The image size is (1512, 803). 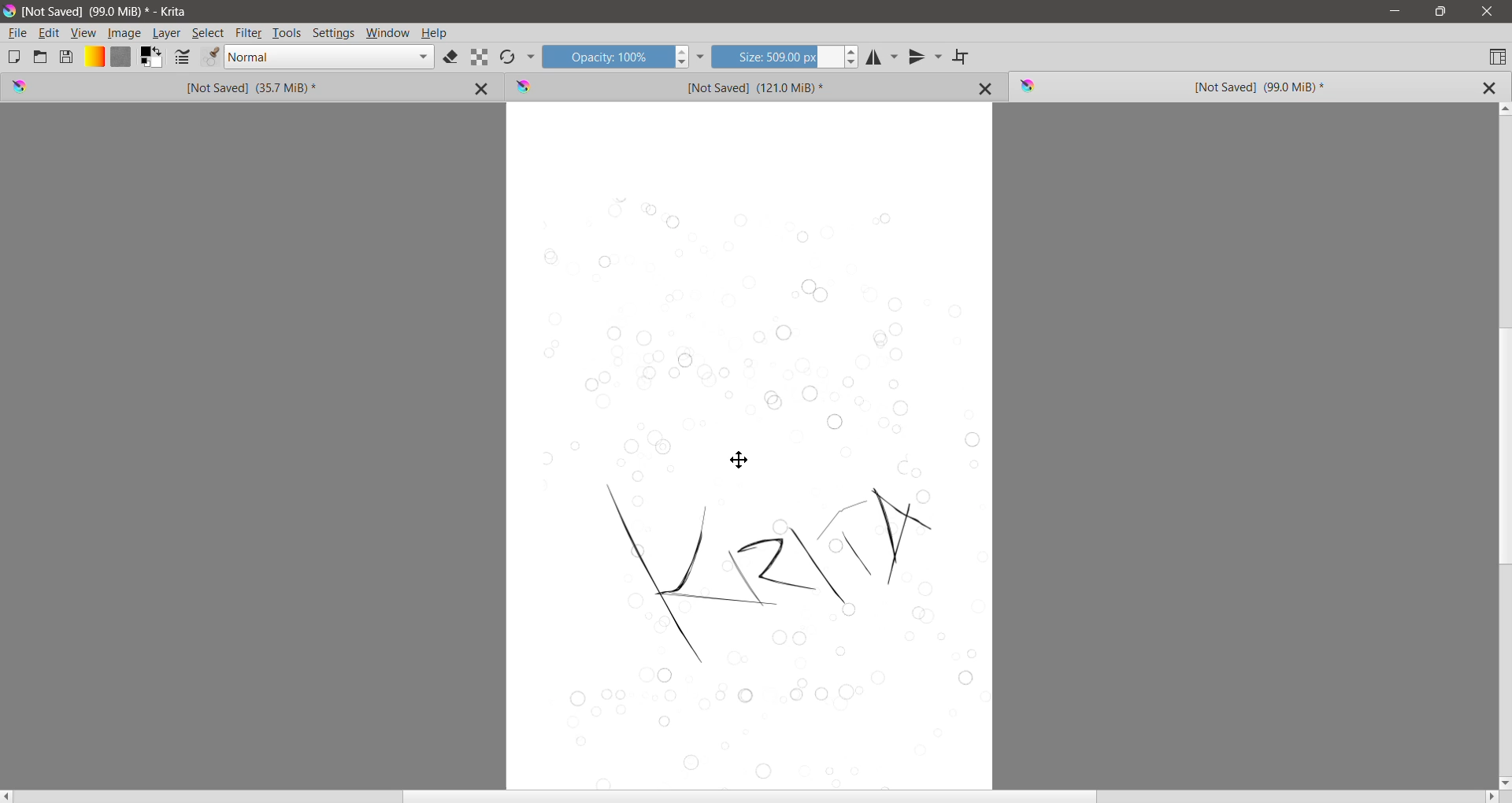 I want to click on View, so click(x=83, y=33).